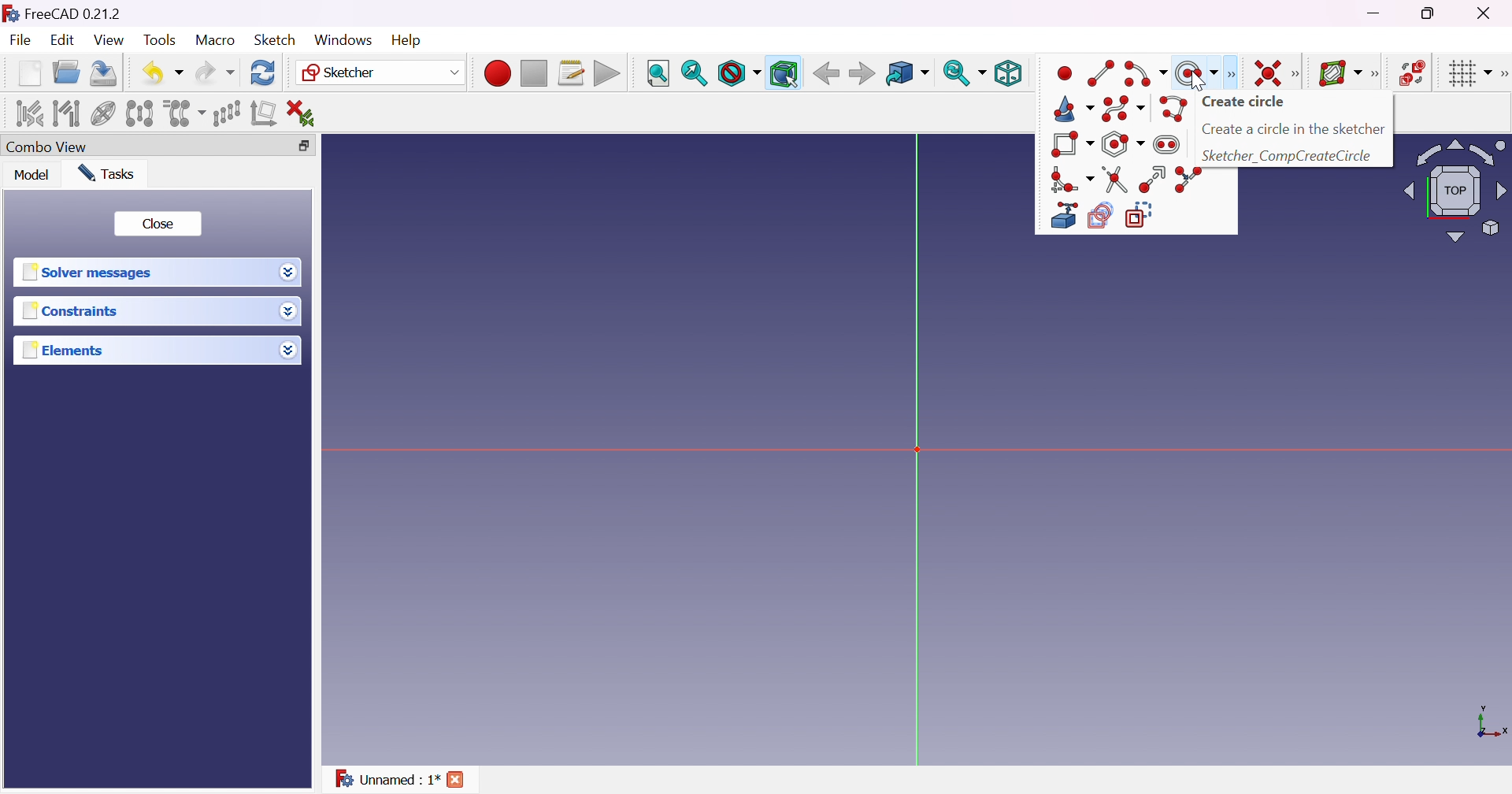 Image resolution: width=1512 pixels, height=794 pixels. I want to click on Sync view, so click(963, 72).